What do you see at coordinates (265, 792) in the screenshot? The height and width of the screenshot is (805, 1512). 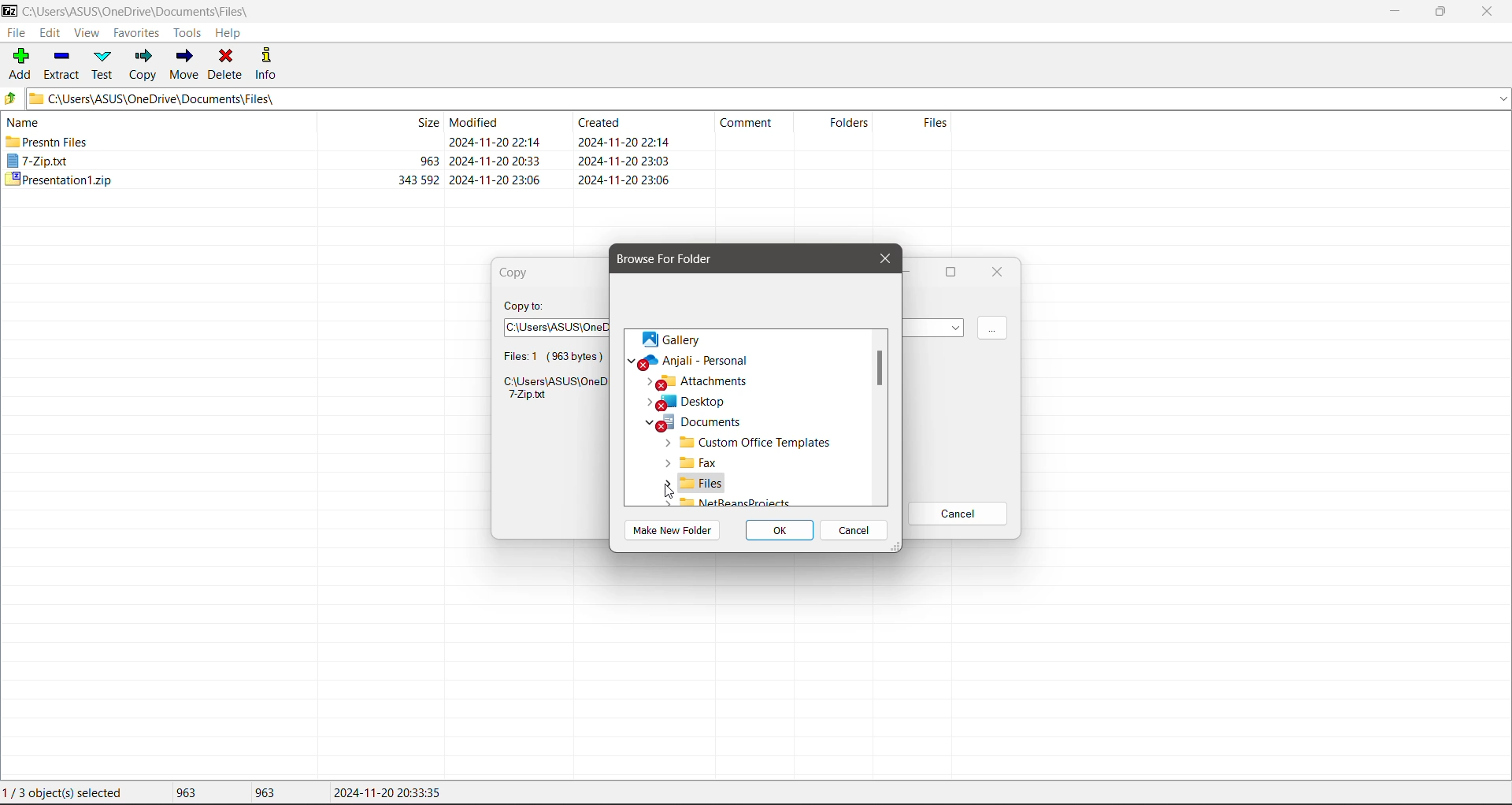 I see `Size of the last file selected` at bounding box center [265, 792].